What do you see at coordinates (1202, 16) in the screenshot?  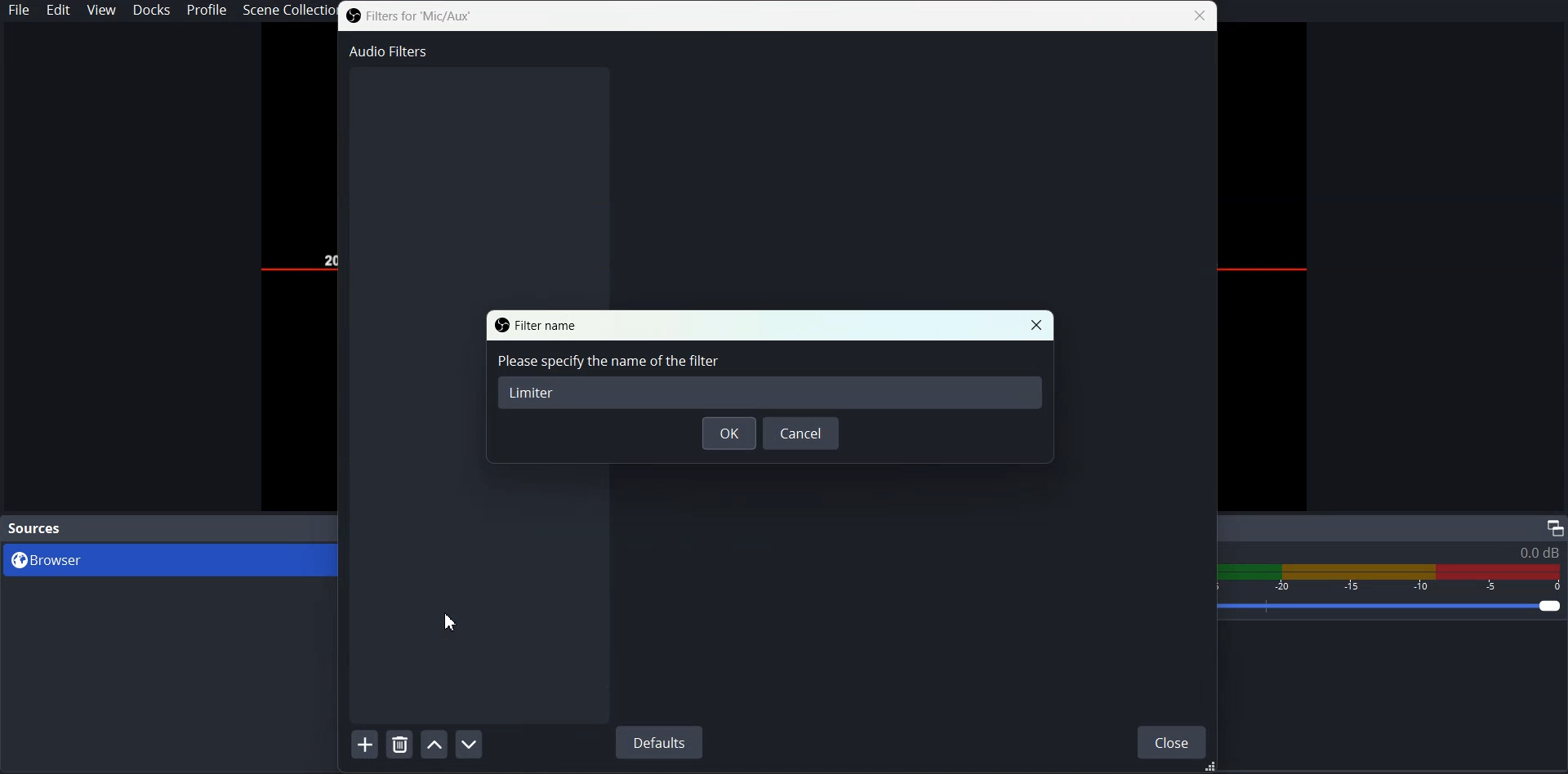 I see `Close` at bounding box center [1202, 16].